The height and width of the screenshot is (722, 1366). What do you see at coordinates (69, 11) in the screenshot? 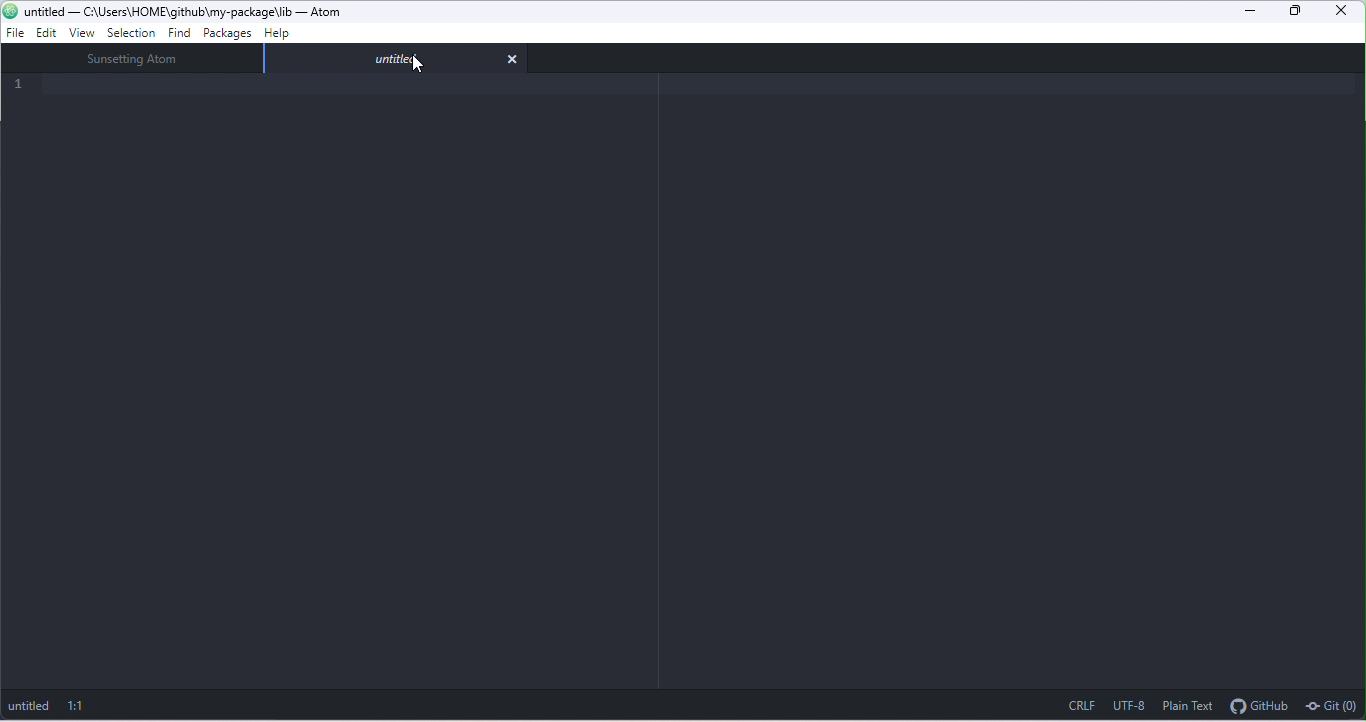
I see `Project Title` at bounding box center [69, 11].